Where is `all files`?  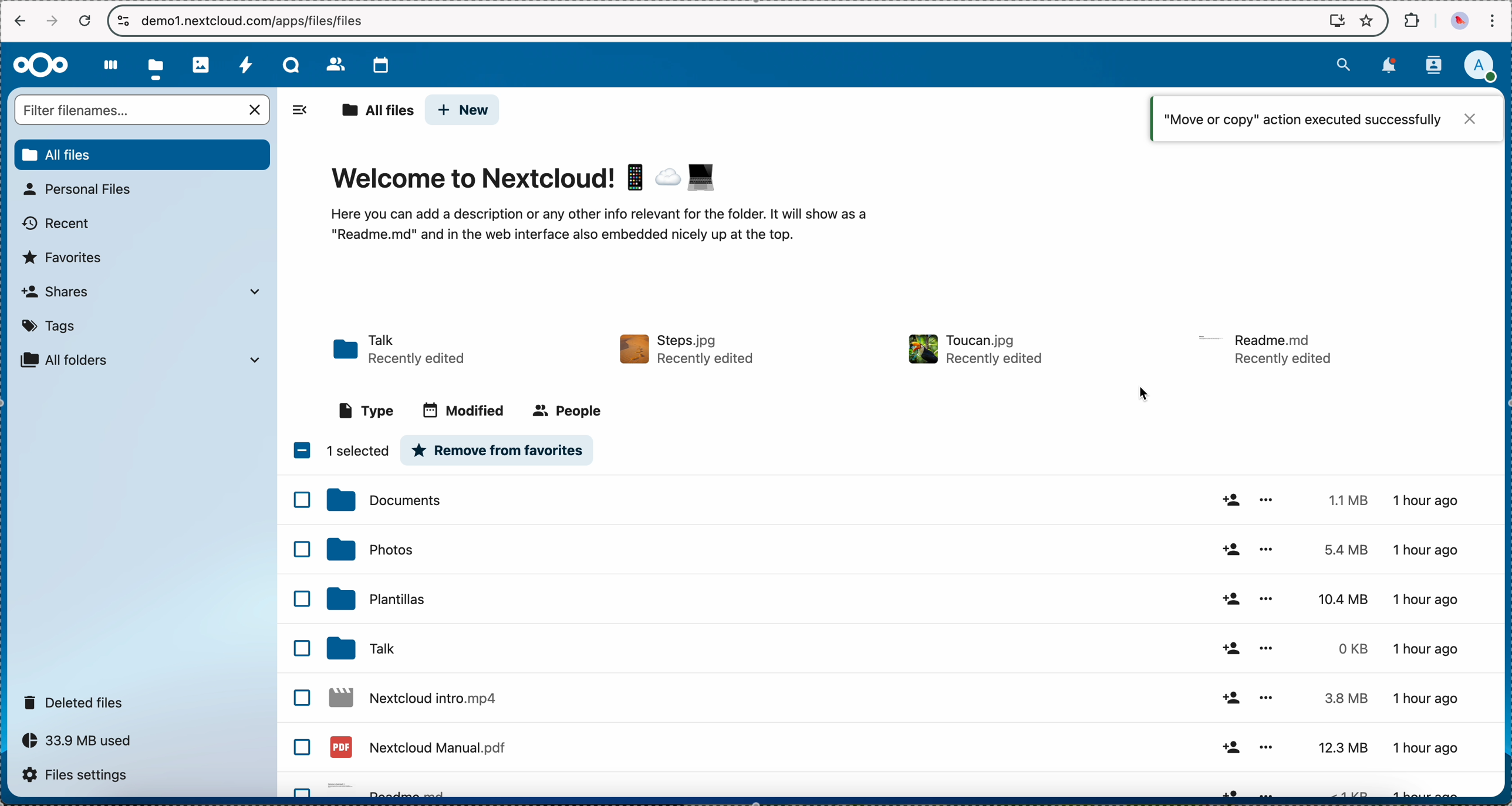
all files is located at coordinates (373, 109).